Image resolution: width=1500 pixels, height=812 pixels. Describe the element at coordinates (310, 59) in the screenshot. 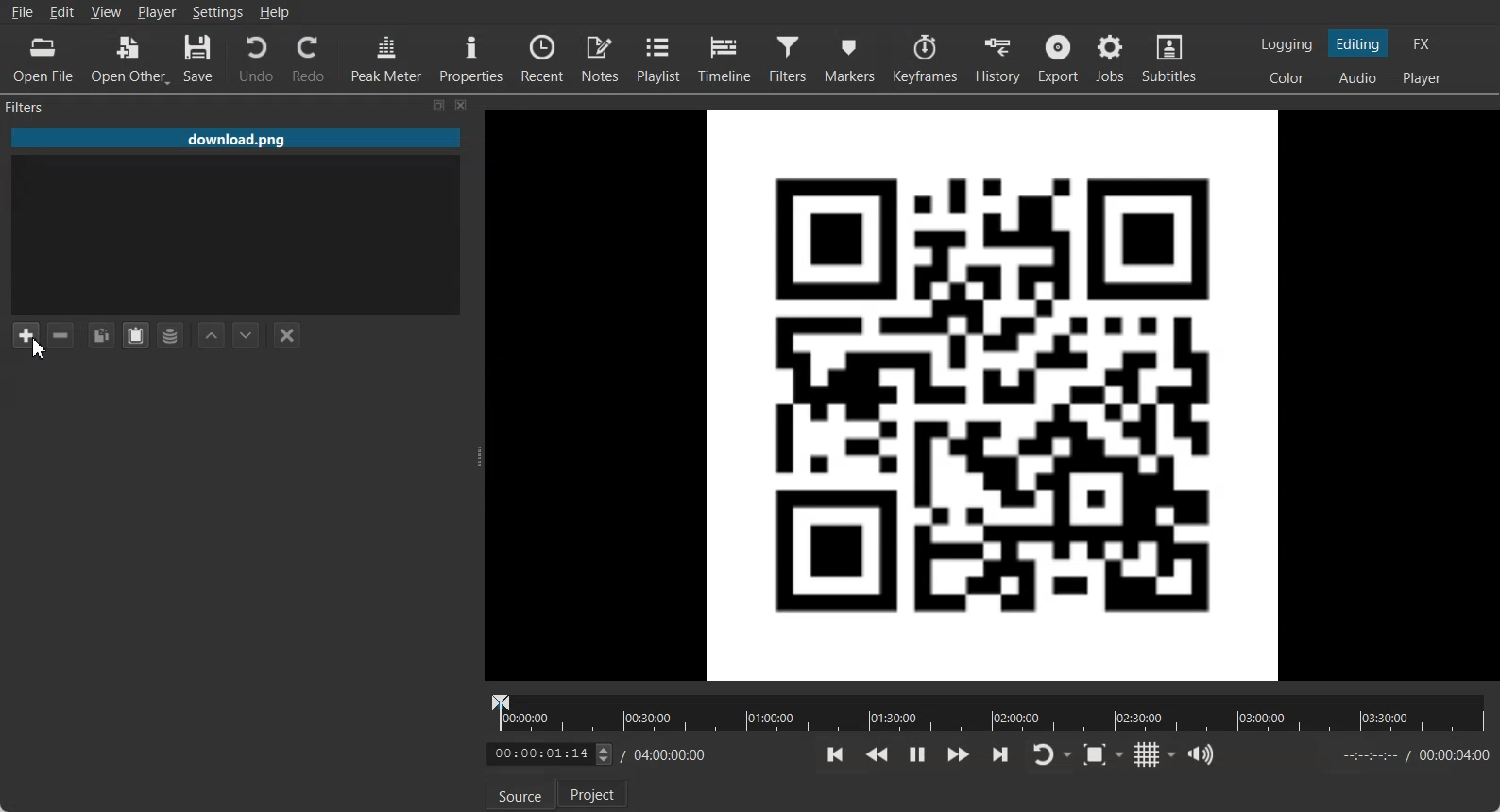

I see `Redo` at that location.